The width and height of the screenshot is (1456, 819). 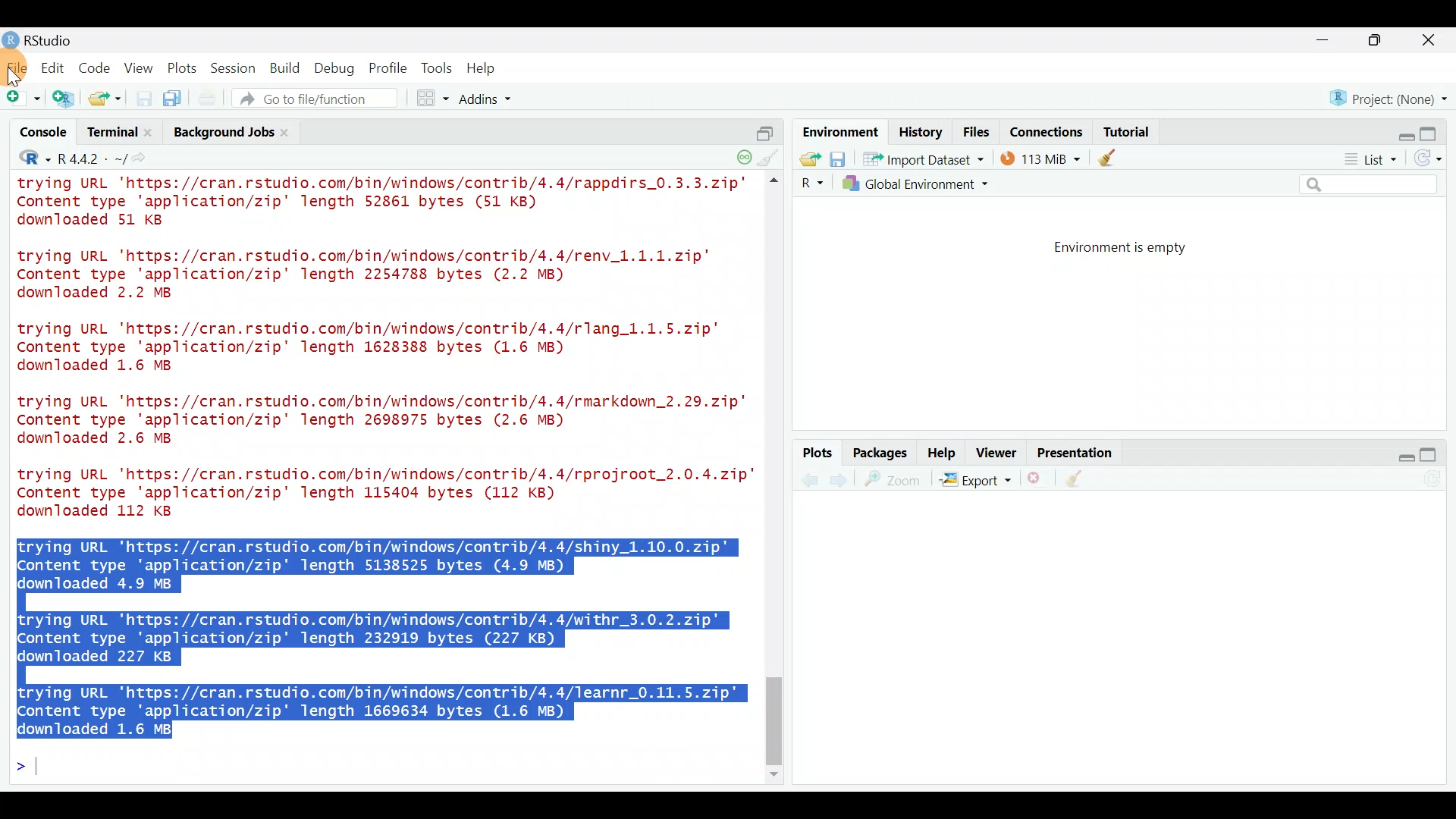 What do you see at coordinates (174, 99) in the screenshot?
I see `Save all open documents` at bounding box center [174, 99].